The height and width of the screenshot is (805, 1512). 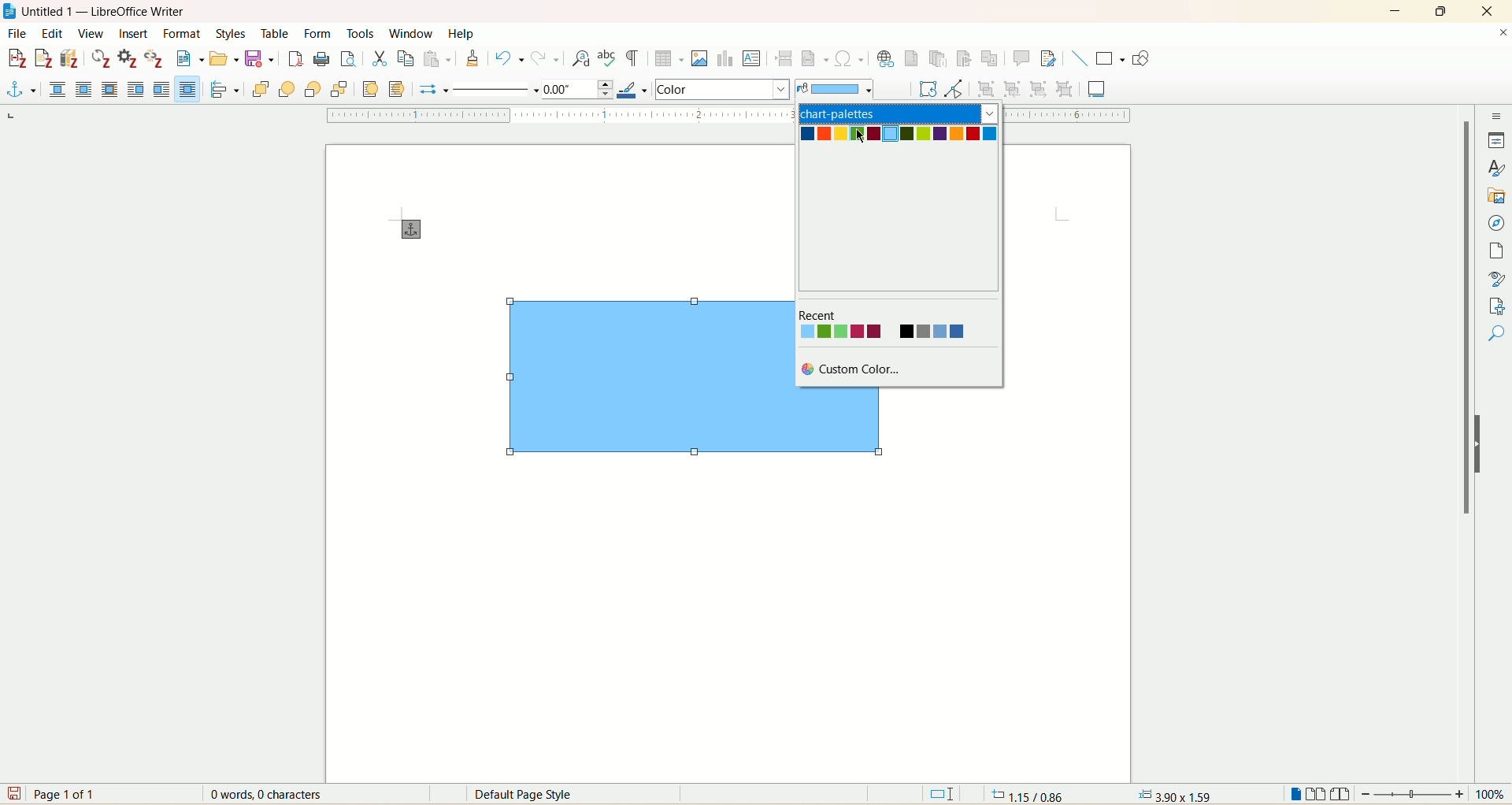 What do you see at coordinates (1098, 88) in the screenshot?
I see `insert caption` at bounding box center [1098, 88].